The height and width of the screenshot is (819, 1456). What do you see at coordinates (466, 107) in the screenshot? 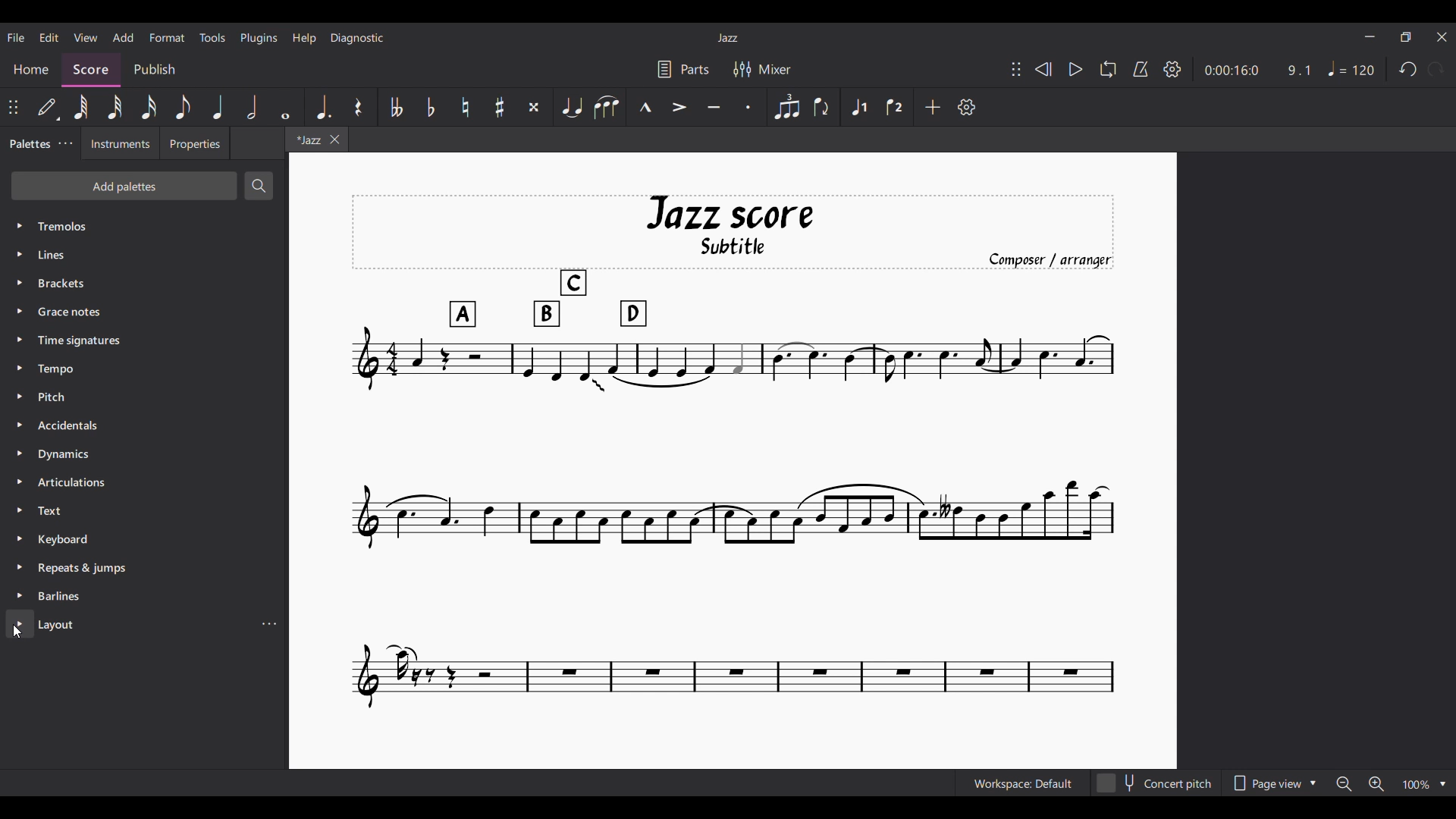
I see `Toggle natural` at bounding box center [466, 107].